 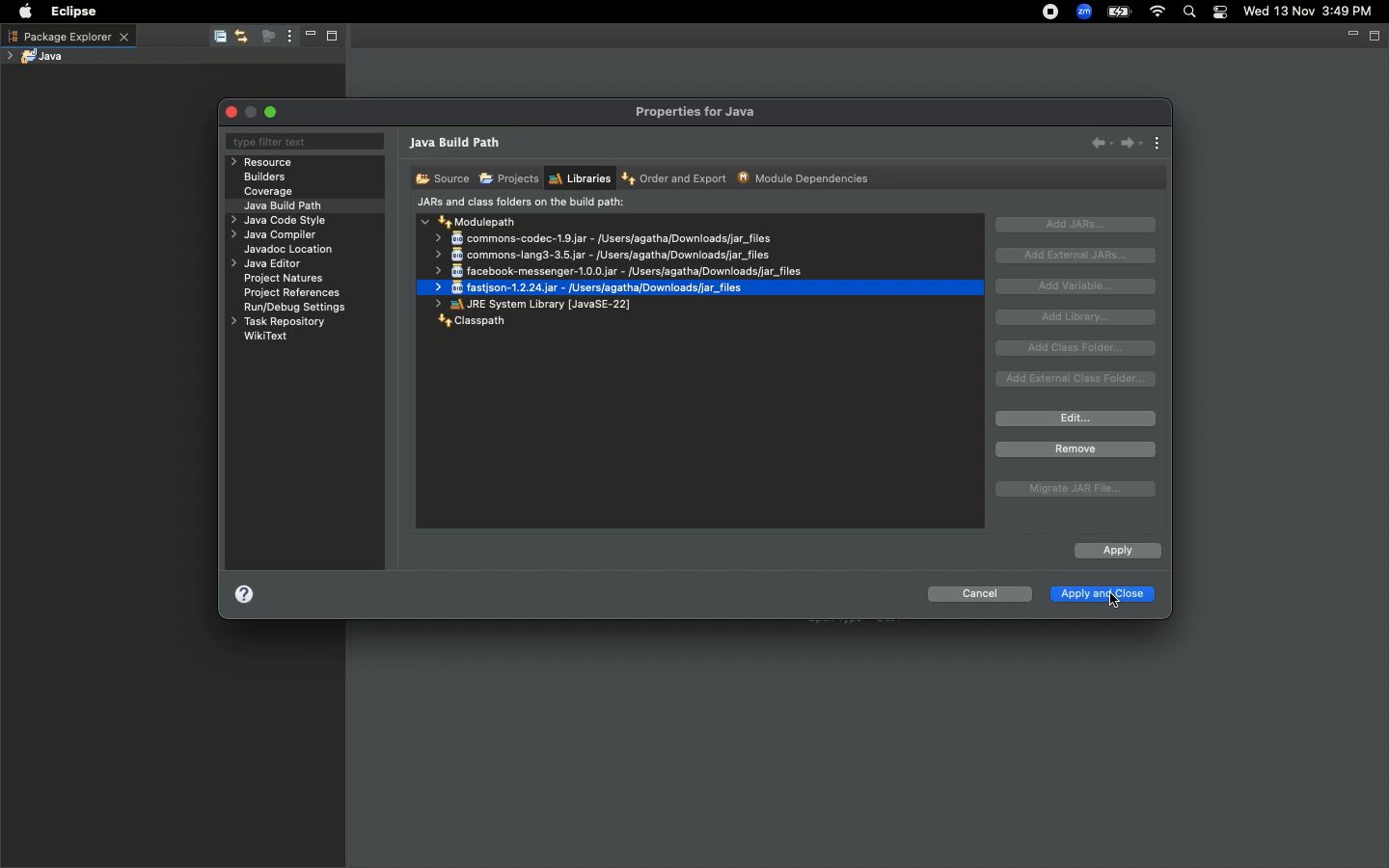 What do you see at coordinates (265, 177) in the screenshot?
I see `Builders` at bounding box center [265, 177].